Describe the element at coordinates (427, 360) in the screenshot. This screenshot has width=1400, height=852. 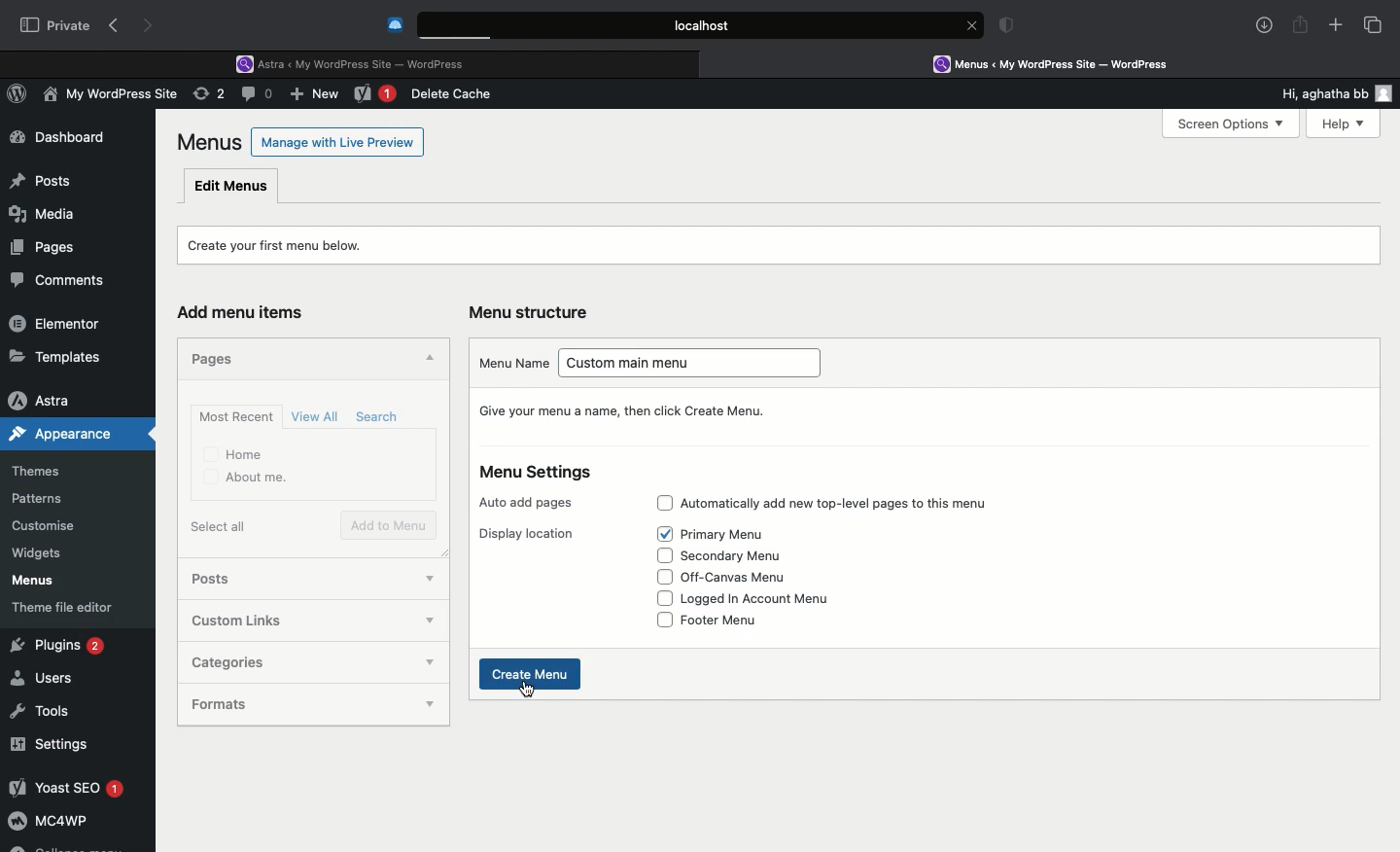
I see `Hide` at that location.